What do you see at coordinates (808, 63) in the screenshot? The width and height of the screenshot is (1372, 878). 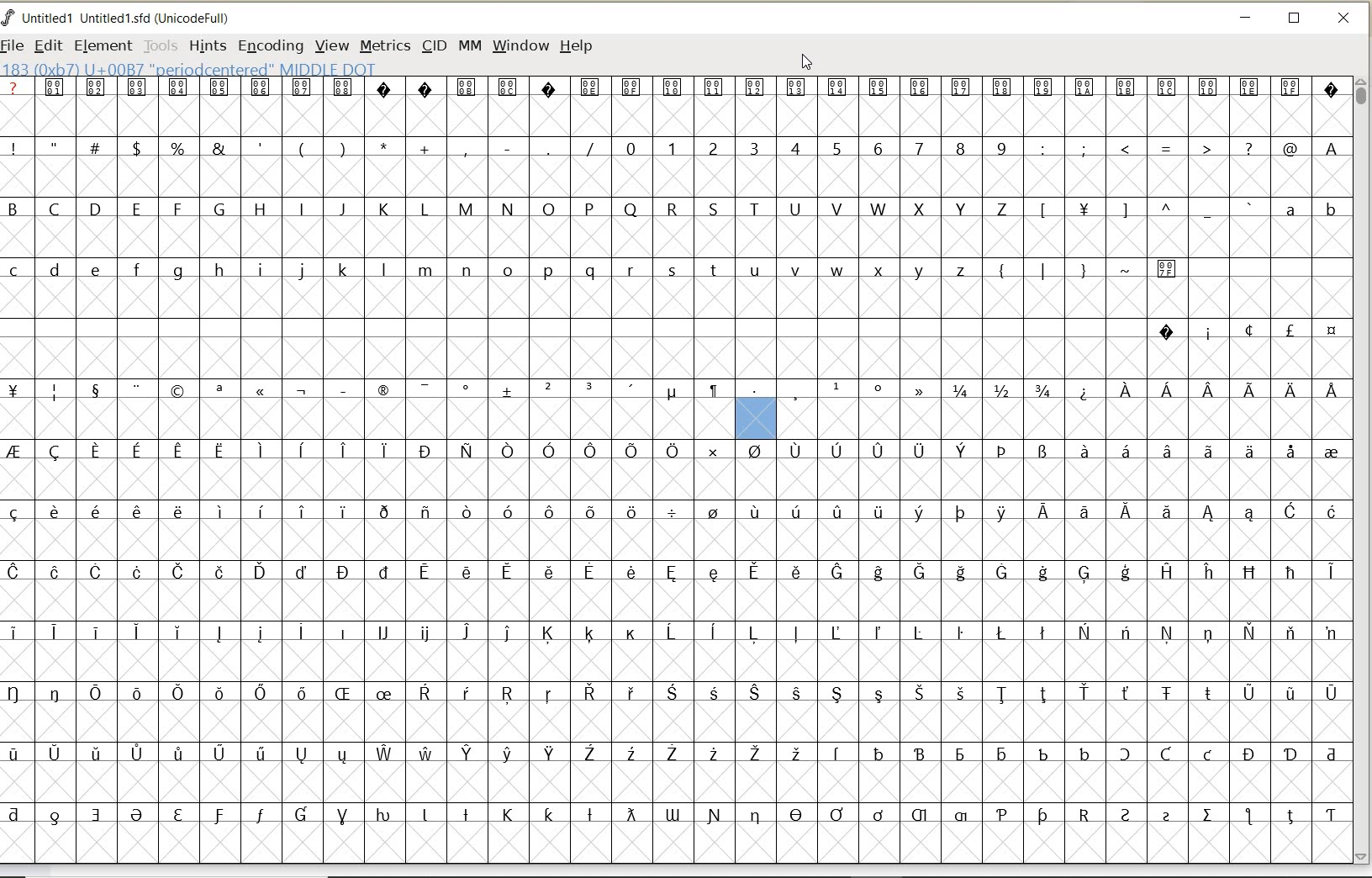 I see `CURSOR` at bounding box center [808, 63].